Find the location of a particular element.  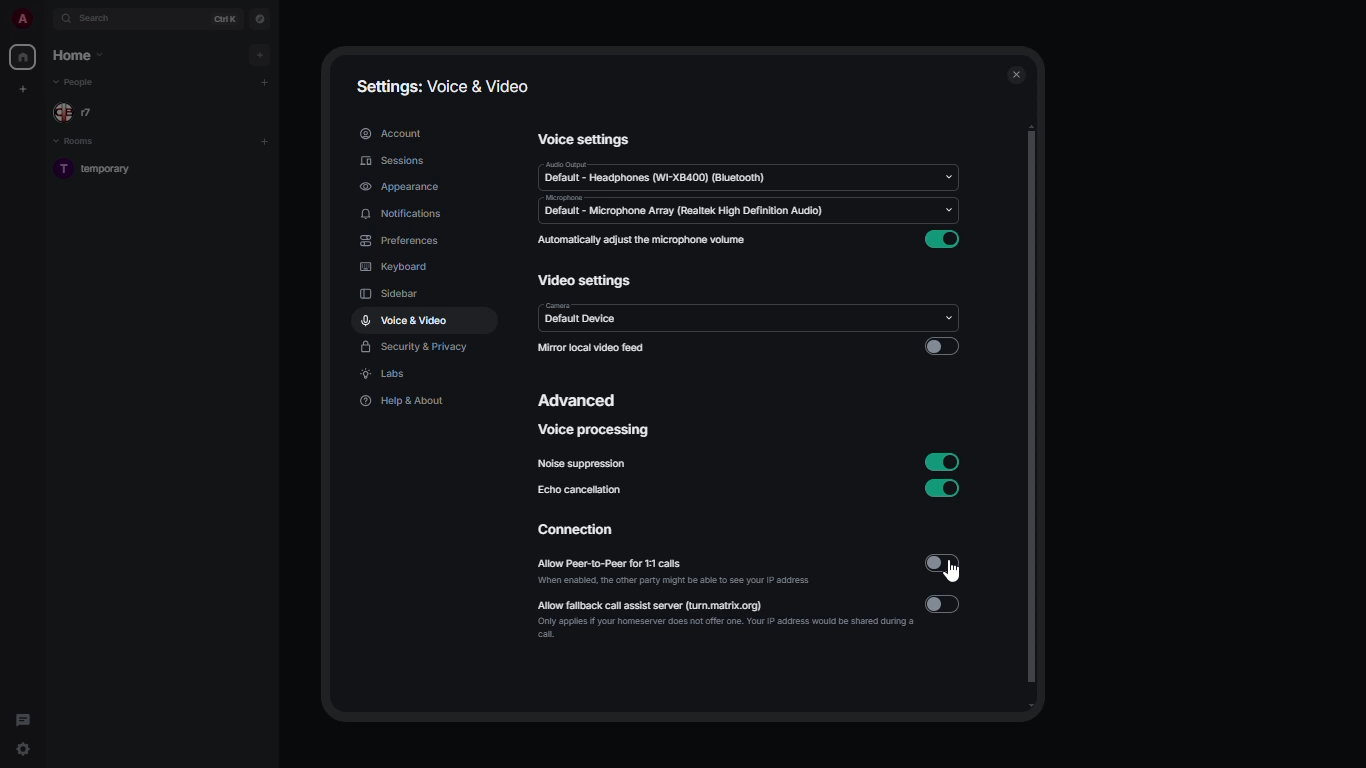

disabled is located at coordinates (943, 564).